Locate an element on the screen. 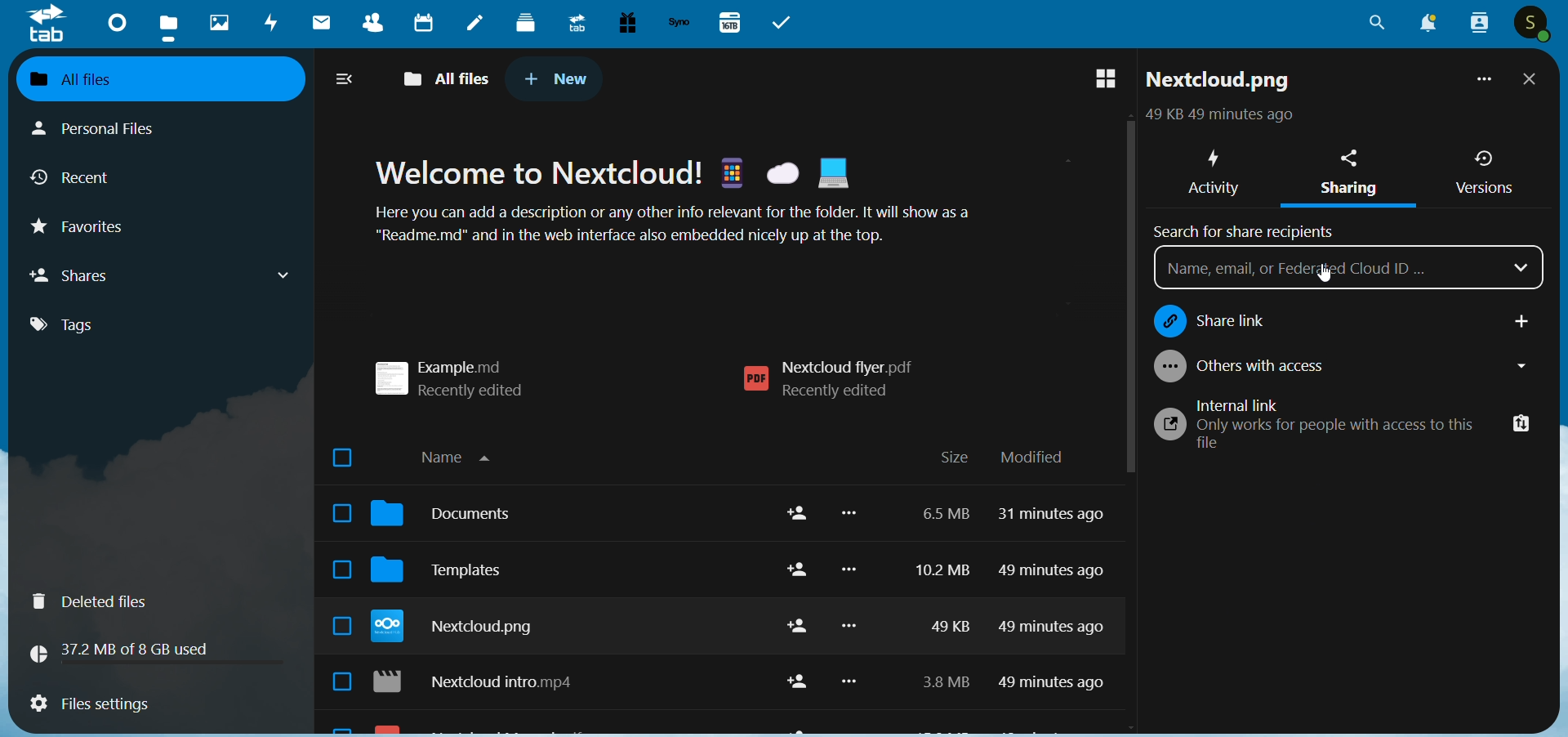 The height and width of the screenshot is (737, 1568). internal link is located at coordinates (1309, 426).